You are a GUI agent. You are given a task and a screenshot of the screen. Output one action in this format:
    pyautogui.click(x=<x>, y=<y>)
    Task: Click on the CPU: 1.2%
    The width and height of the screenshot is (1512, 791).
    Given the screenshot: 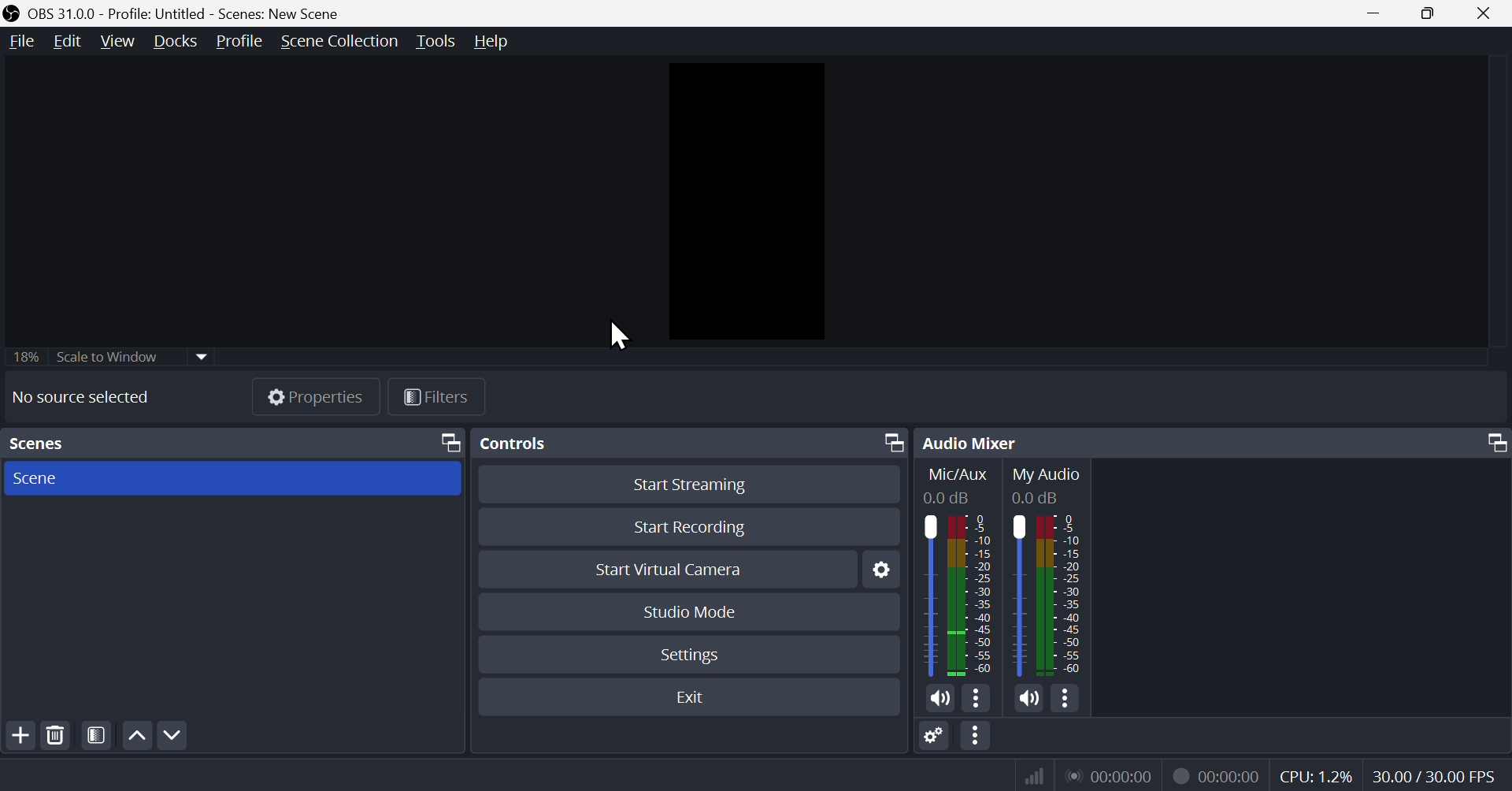 What is the action you would take?
    pyautogui.click(x=1321, y=774)
    